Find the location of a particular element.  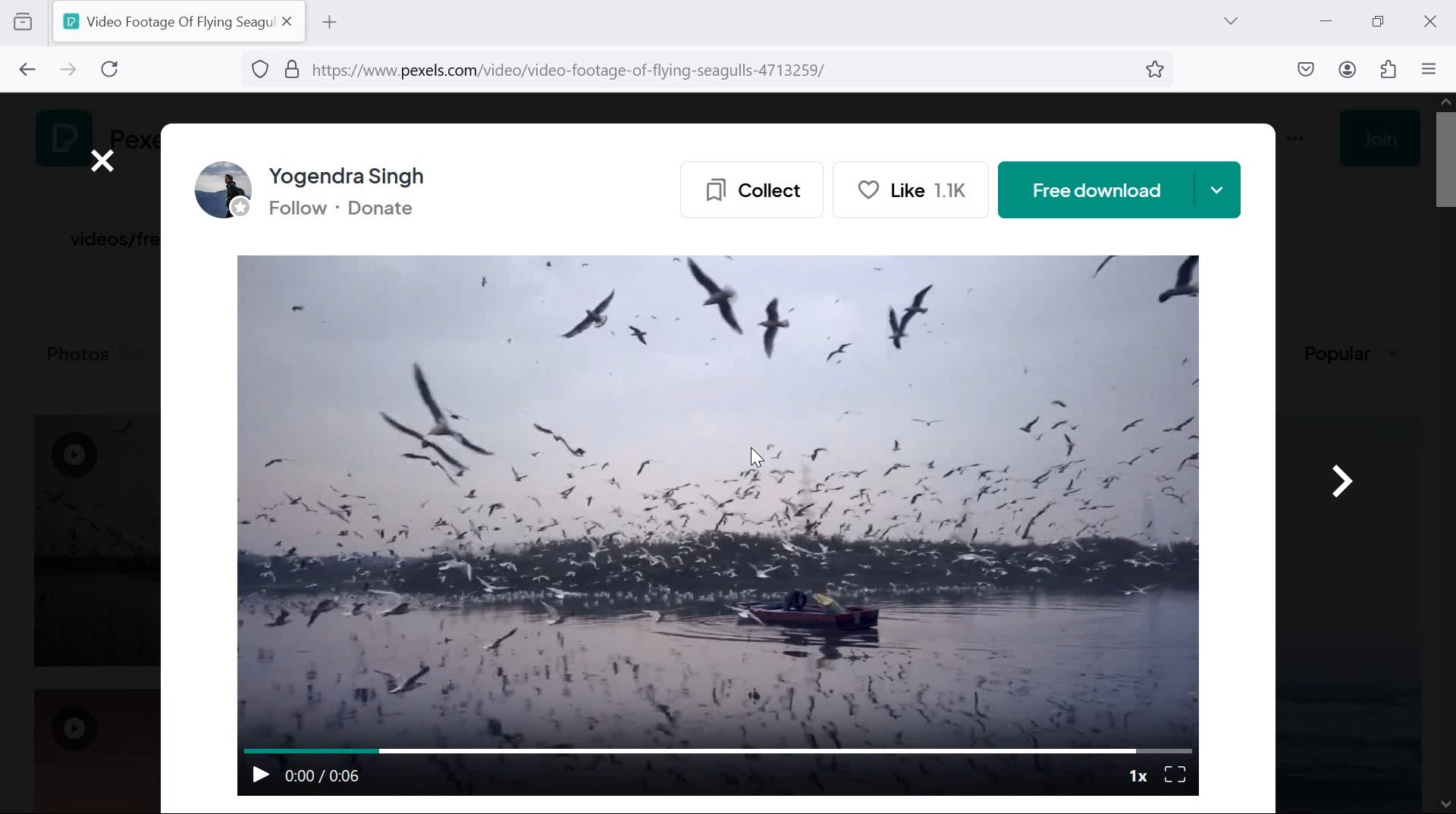

full screen is located at coordinates (1178, 773).